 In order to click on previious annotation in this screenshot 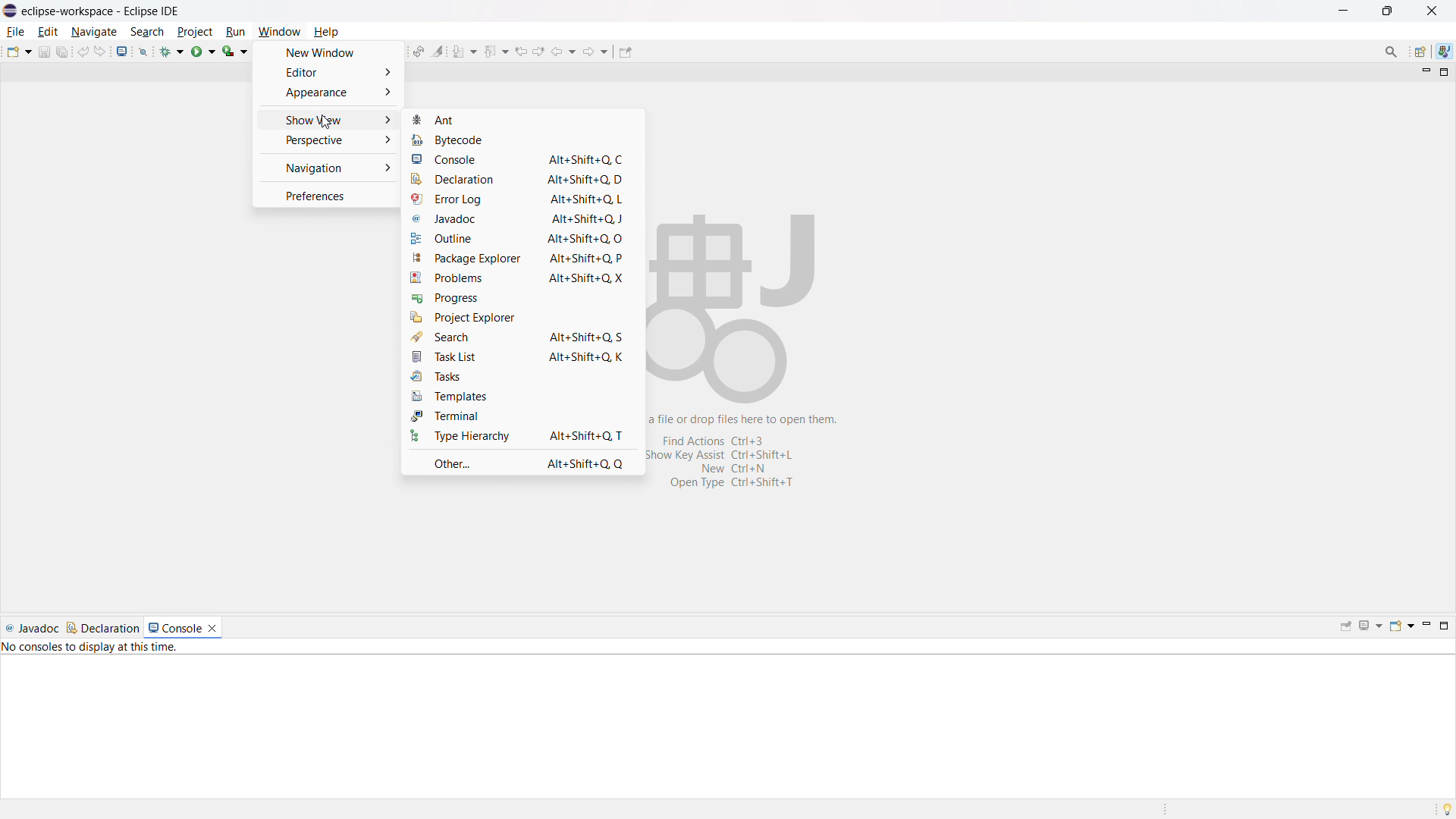, I will do `click(496, 51)`.